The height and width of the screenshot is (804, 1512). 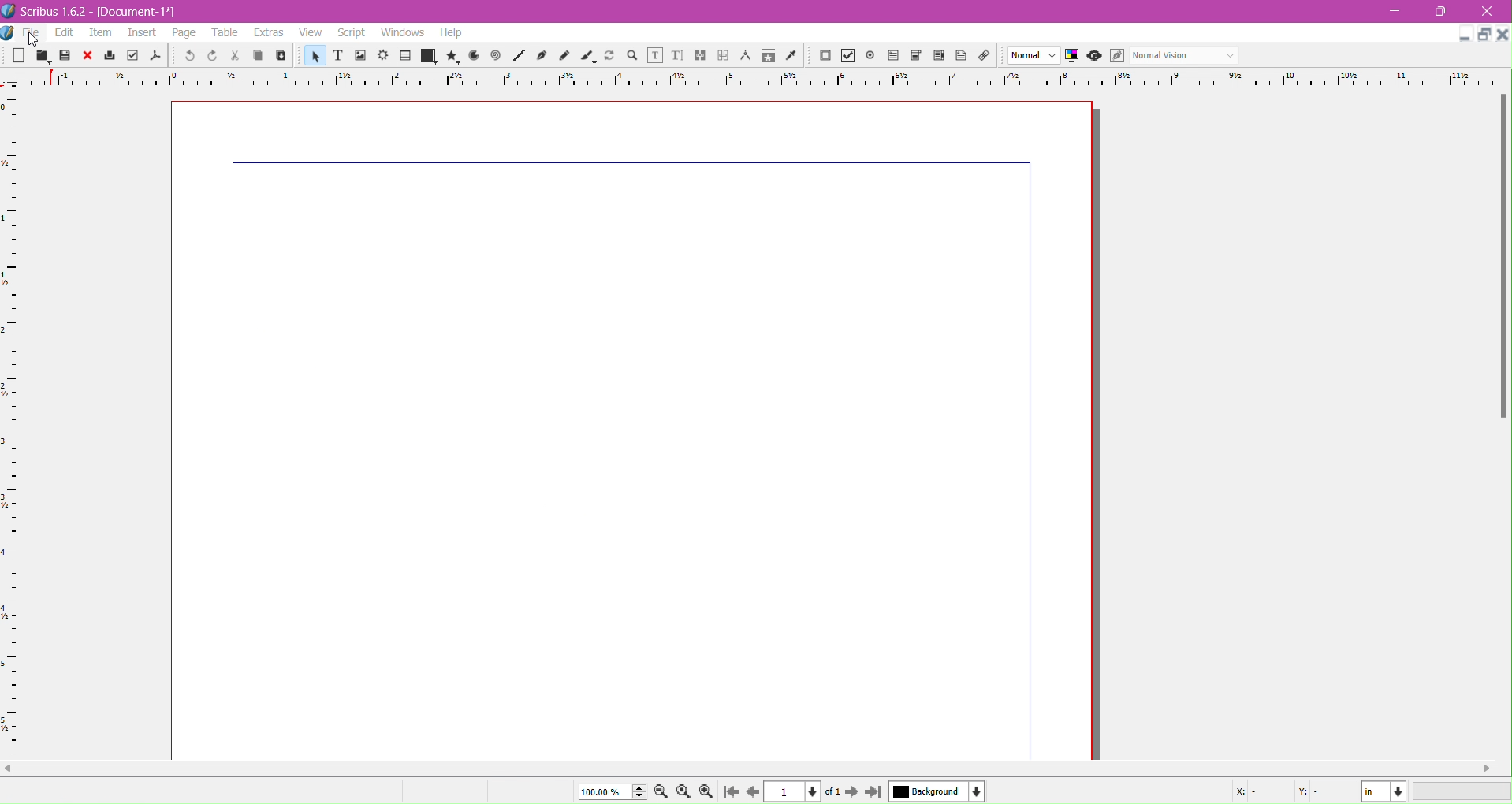 I want to click on color management system, so click(x=1072, y=56).